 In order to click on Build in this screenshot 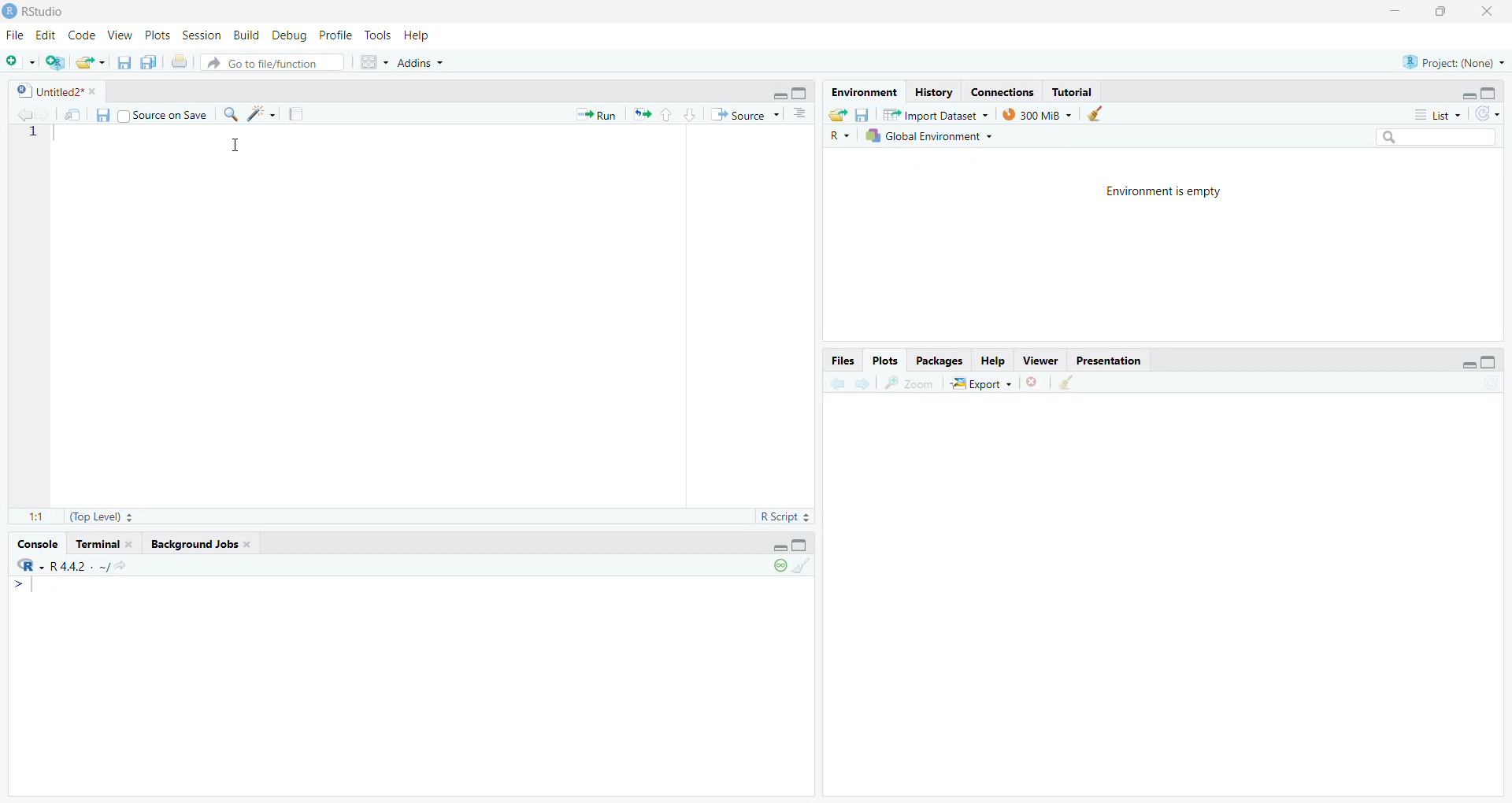, I will do `click(245, 35)`.